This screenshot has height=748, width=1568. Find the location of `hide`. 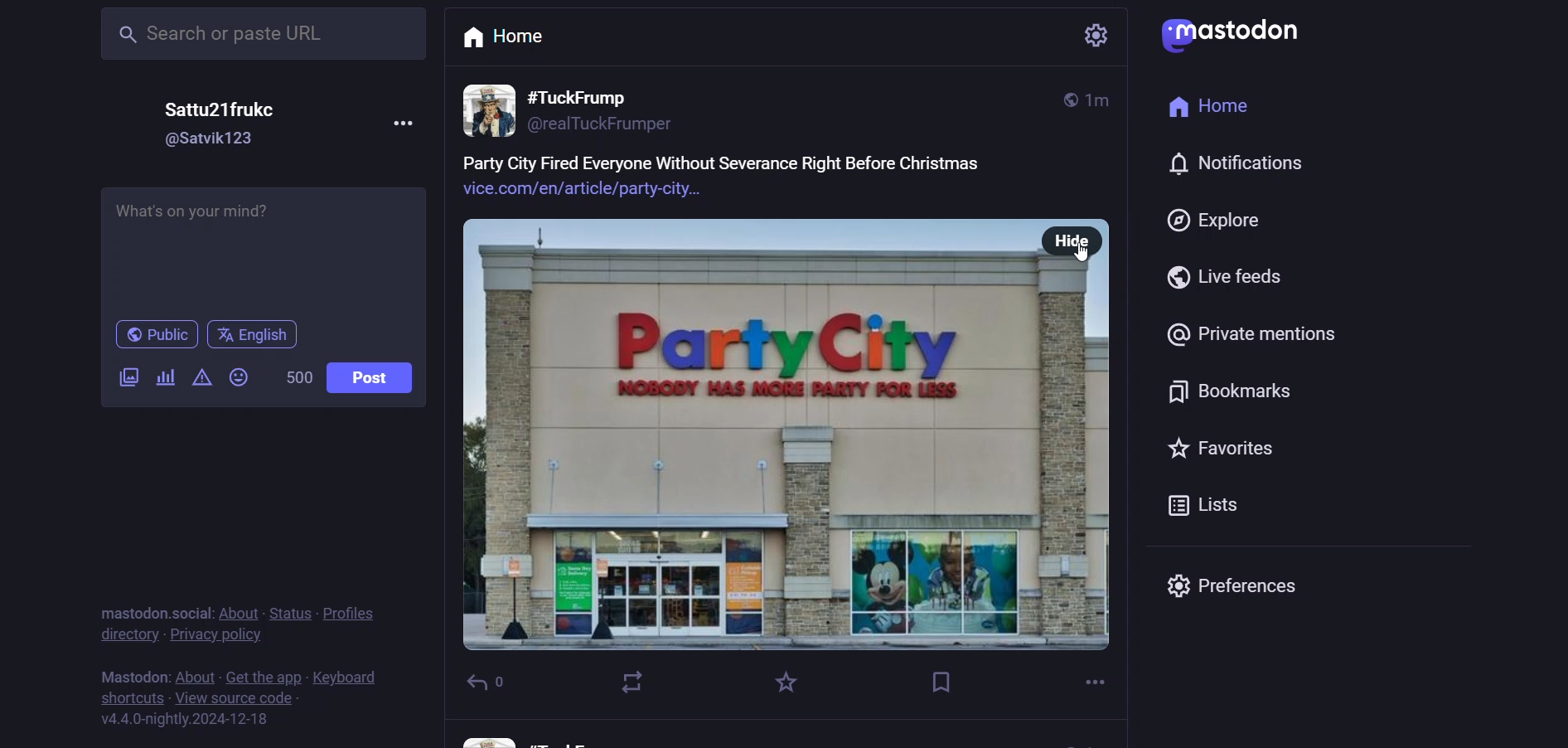

hide is located at coordinates (1073, 242).